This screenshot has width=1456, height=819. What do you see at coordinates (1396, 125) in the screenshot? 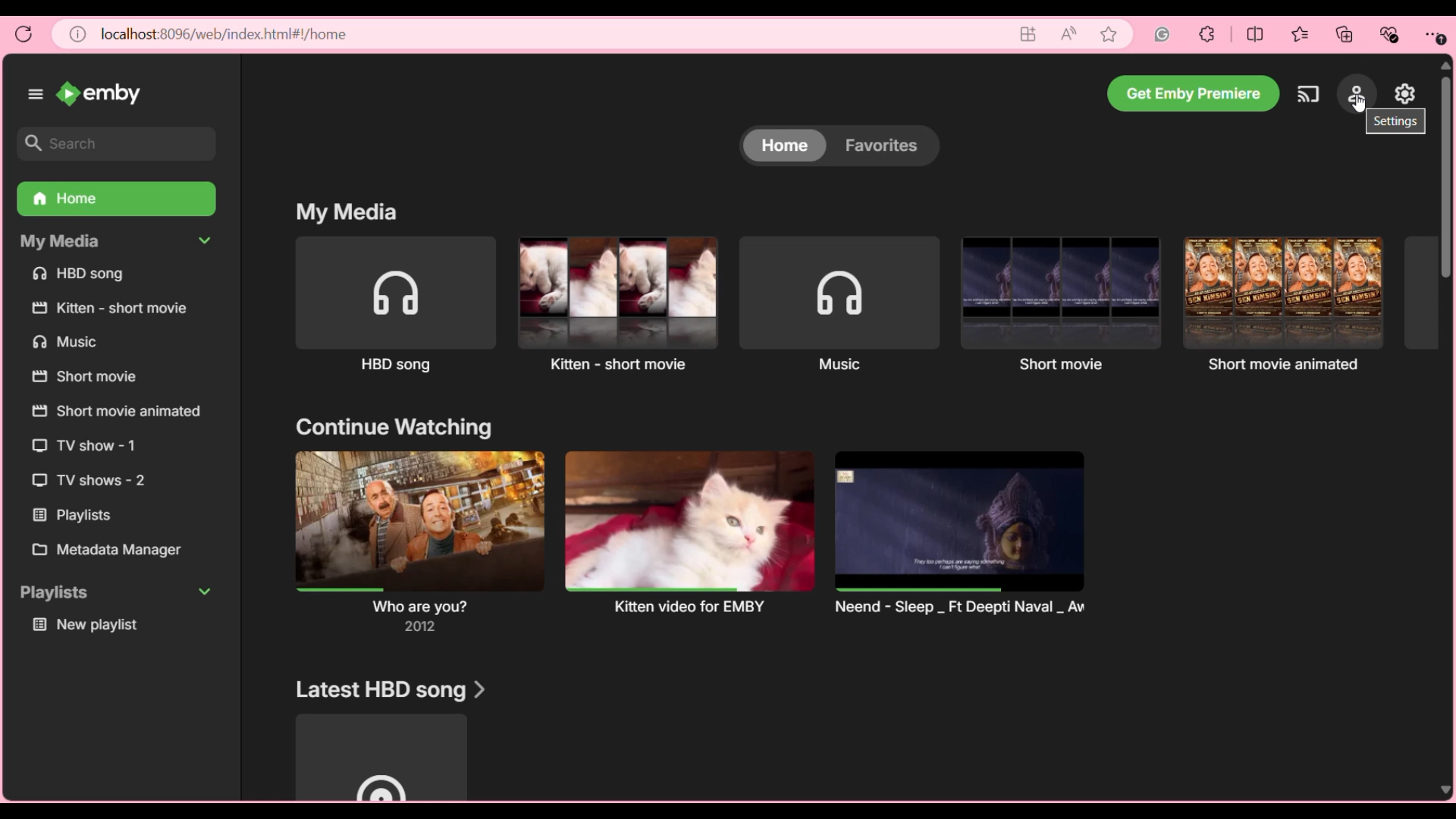
I see `tooltip` at bounding box center [1396, 125].